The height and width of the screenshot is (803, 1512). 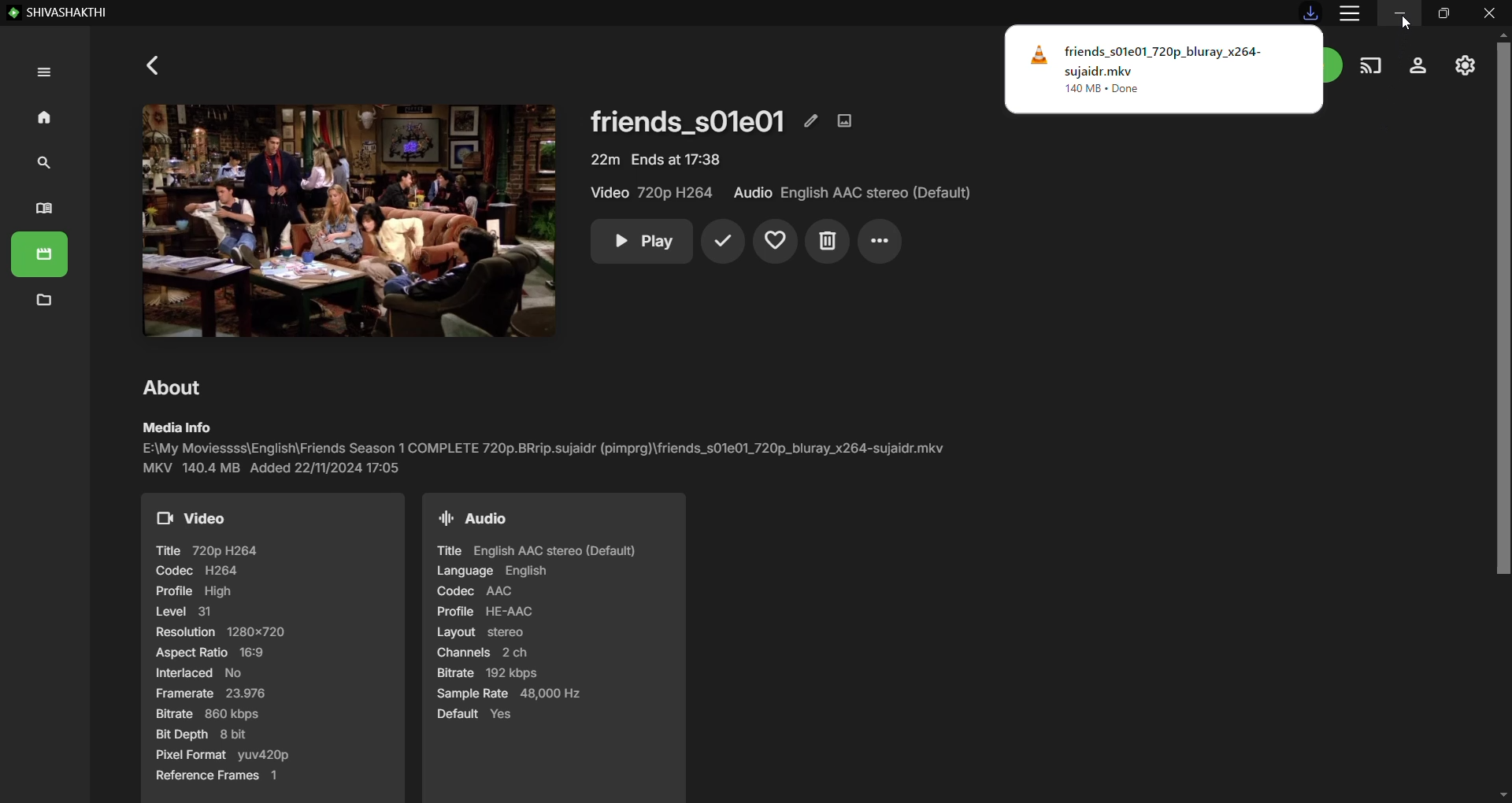 I want to click on Edit Metadata, so click(x=811, y=120).